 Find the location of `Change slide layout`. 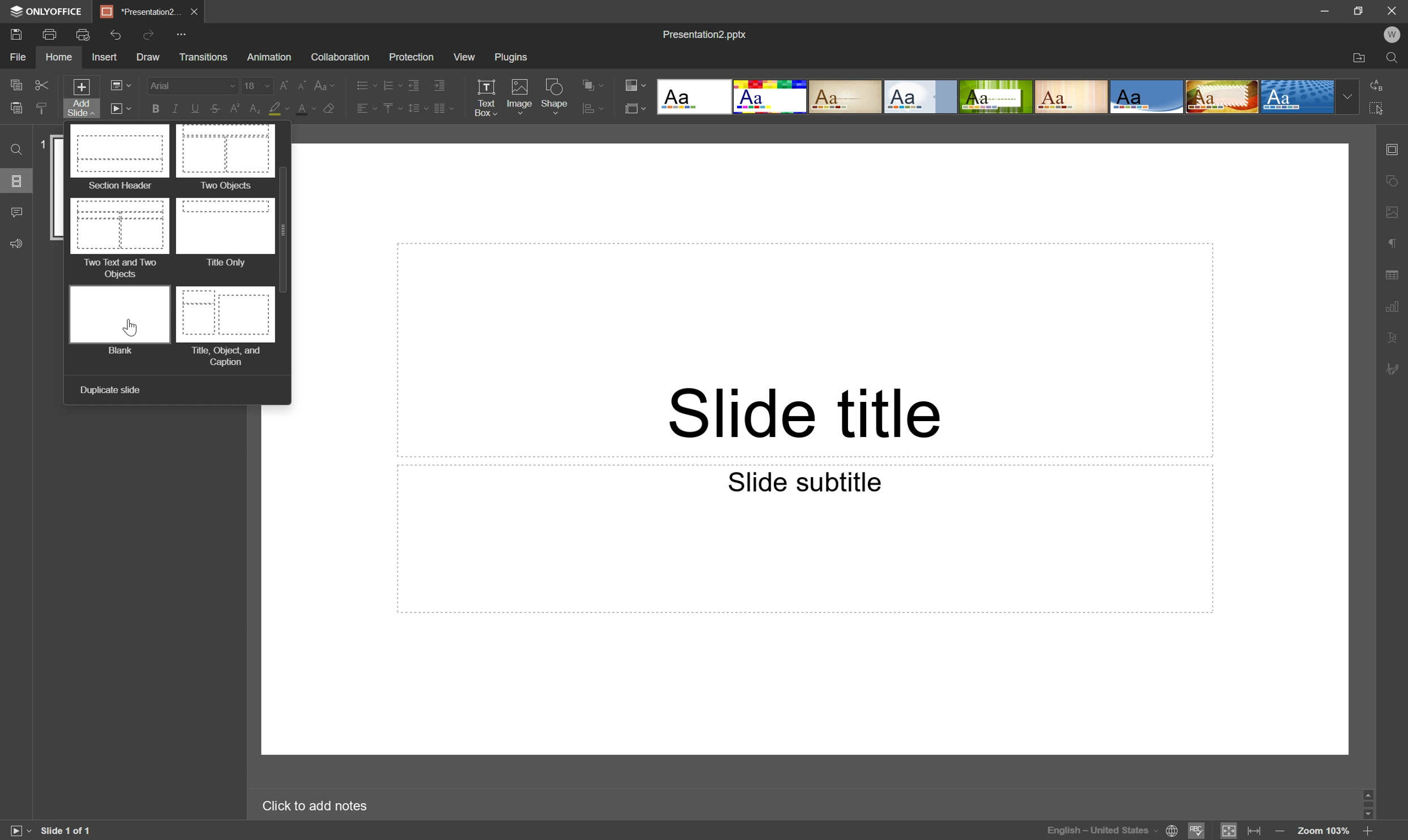

Change slide layout is located at coordinates (121, 85).